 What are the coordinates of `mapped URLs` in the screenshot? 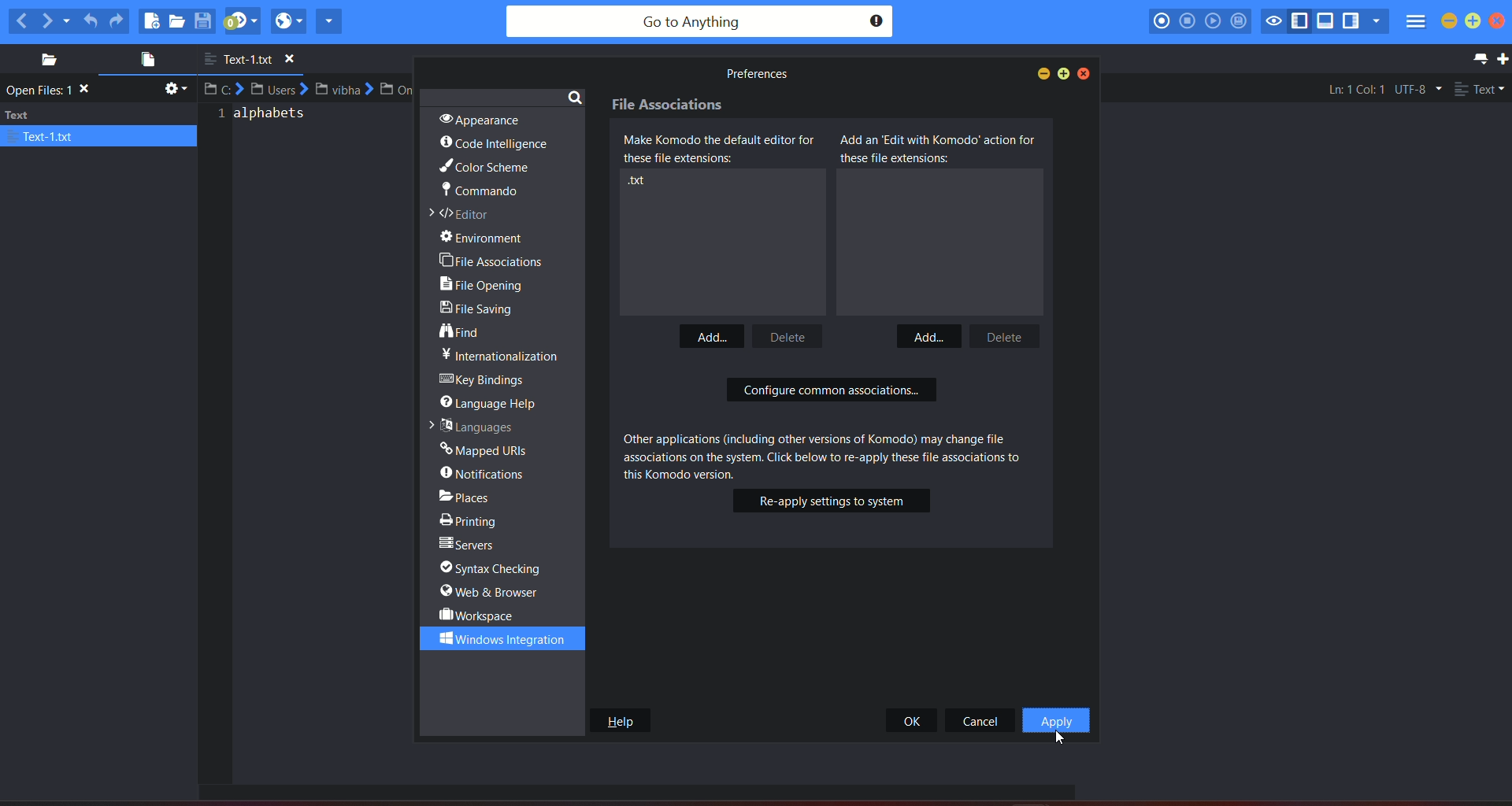 It's located at (485, 448).